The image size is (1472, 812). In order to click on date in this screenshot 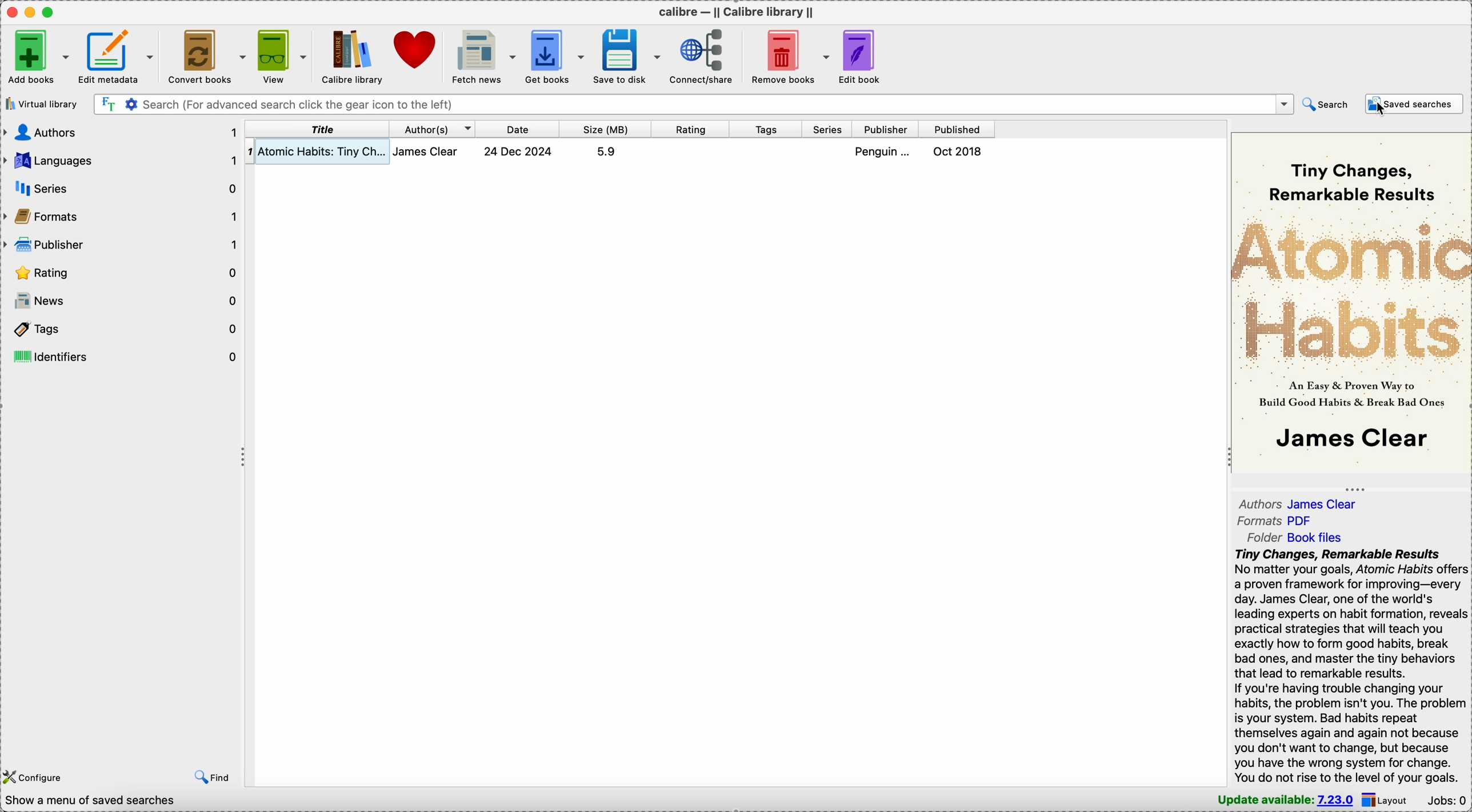, I will do `click(518, 129)`.